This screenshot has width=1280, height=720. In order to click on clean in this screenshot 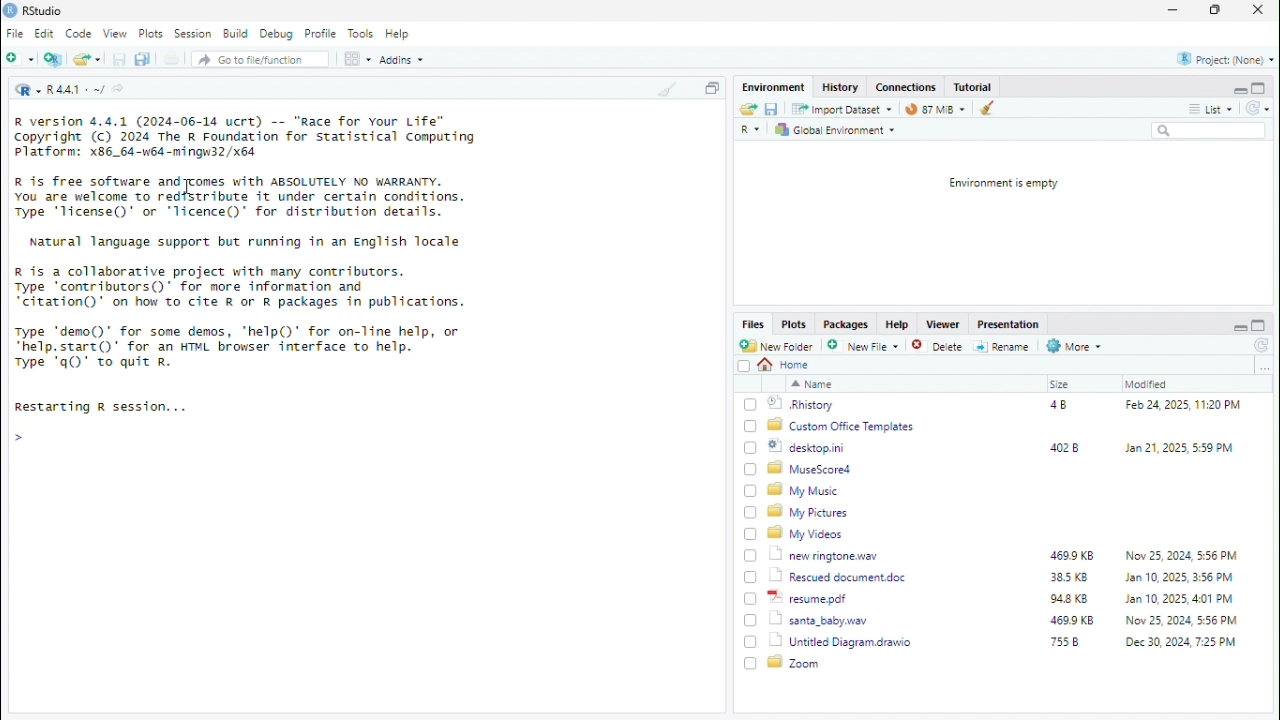, I will do `click(990, 107)`.